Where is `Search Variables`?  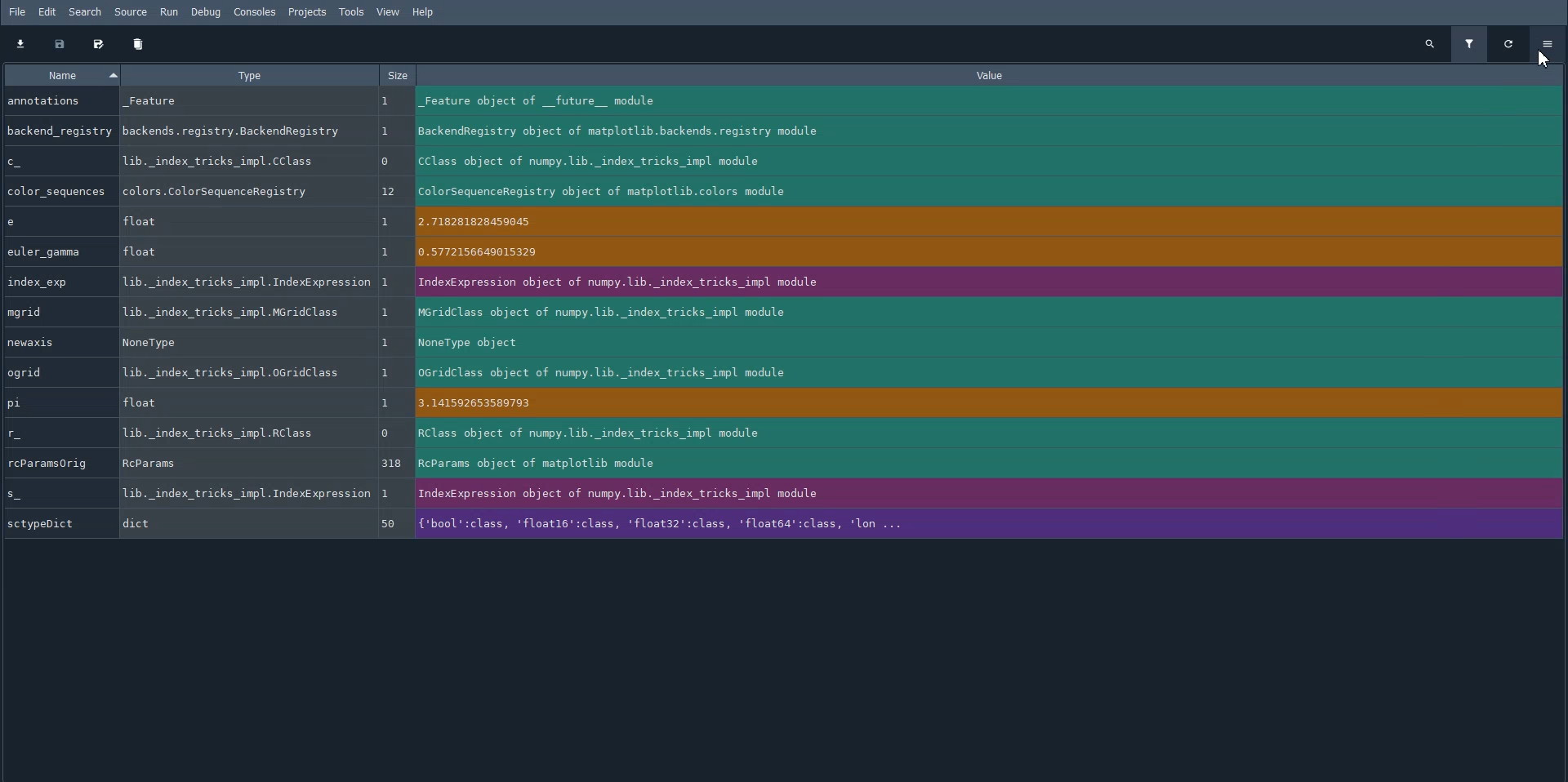
Search Variables is located at coordinates (1429, 43).